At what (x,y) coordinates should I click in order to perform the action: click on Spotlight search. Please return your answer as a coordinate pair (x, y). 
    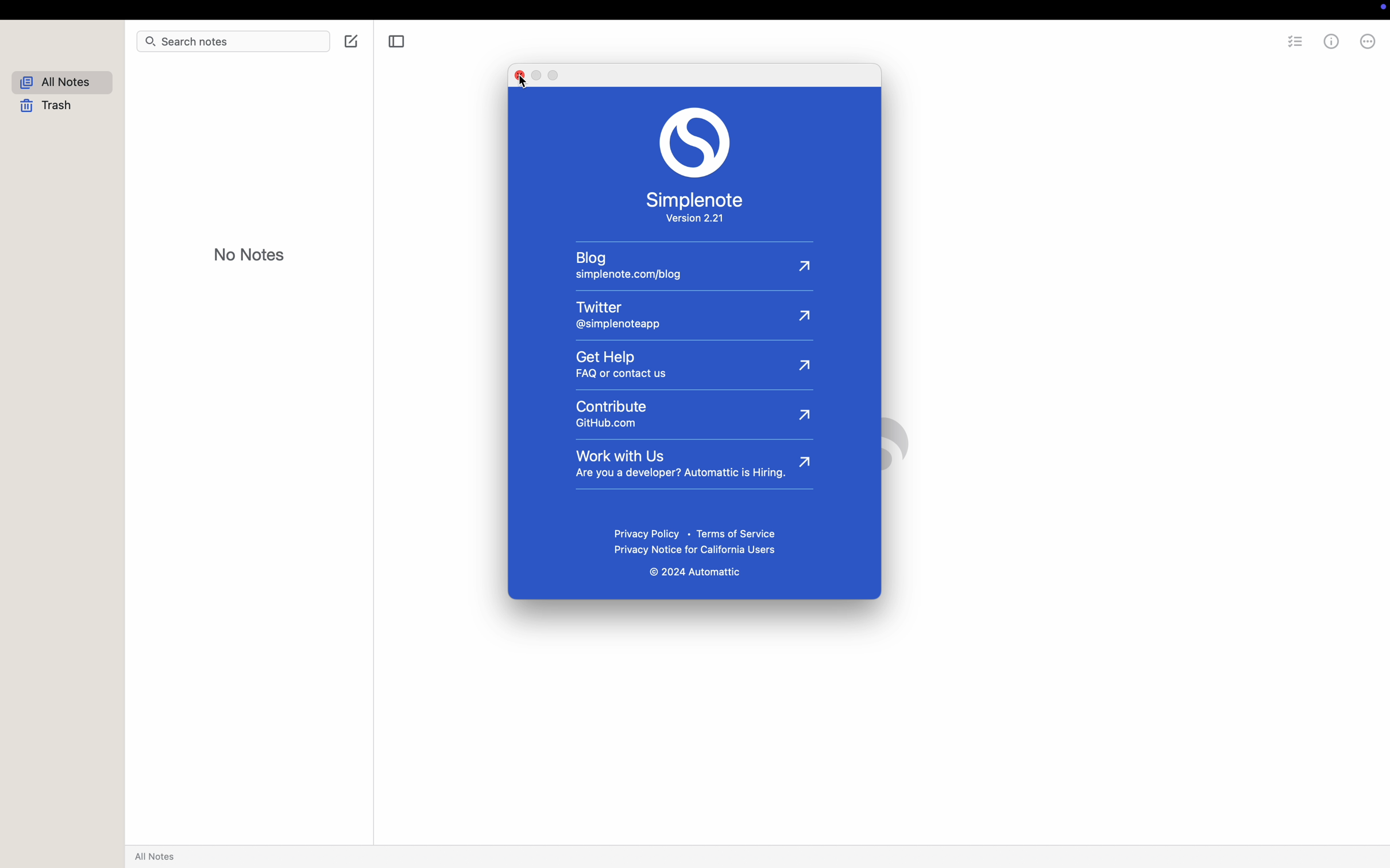
    Looking at the image, I should click on (1237, 9).